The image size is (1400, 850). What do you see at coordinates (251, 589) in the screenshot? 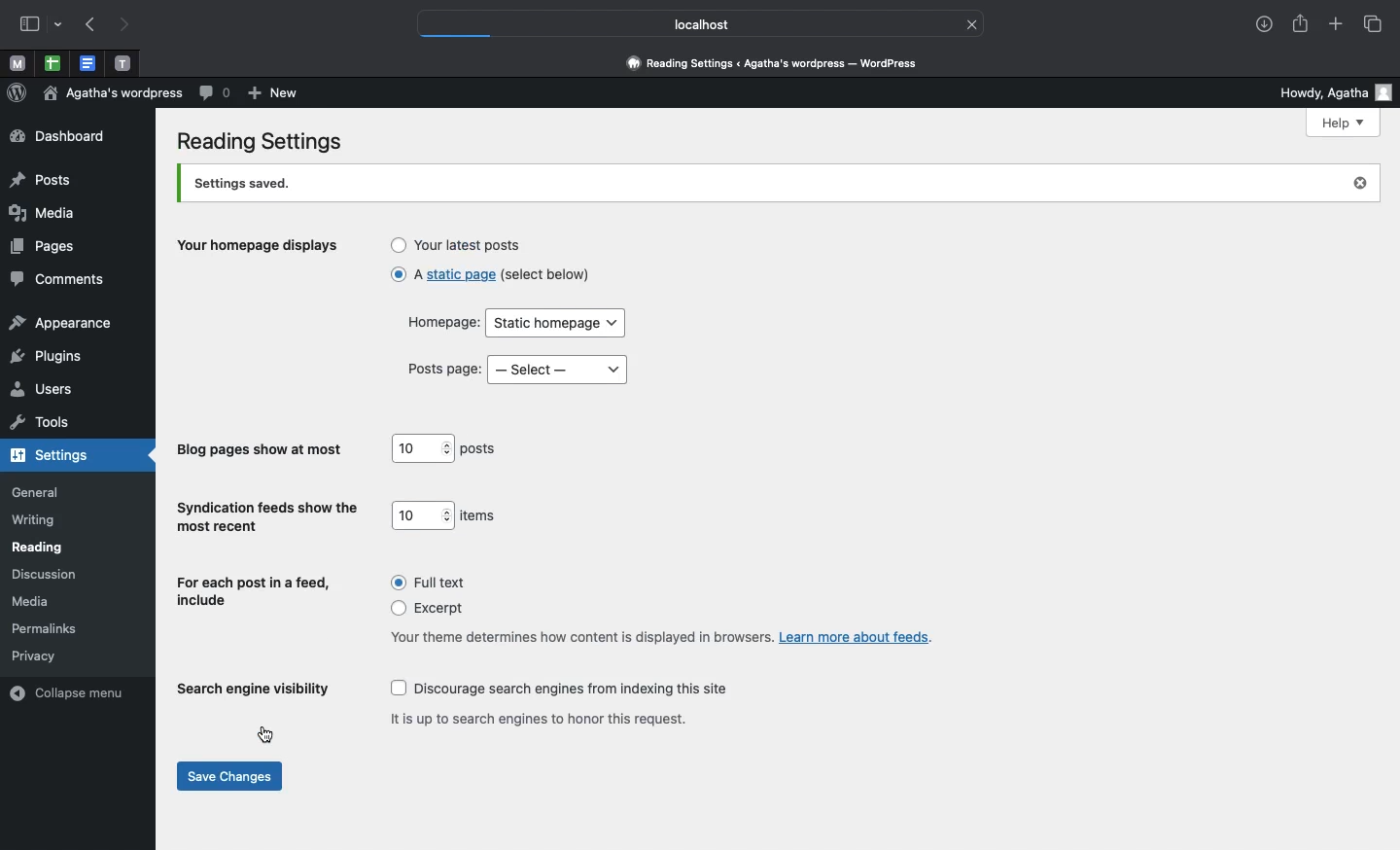
I see `for each post in a feed, include` at bounding box center [251, 589].